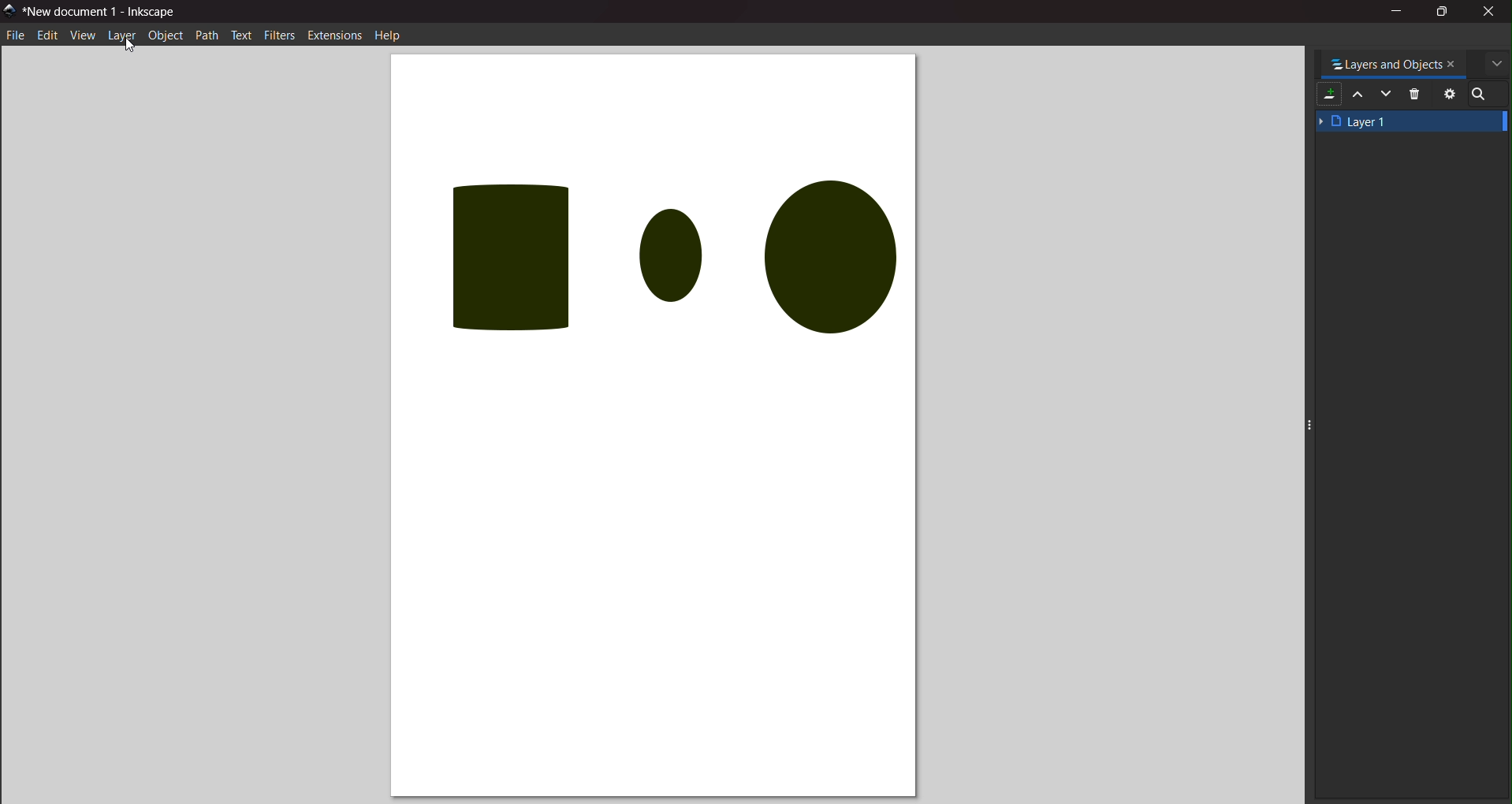 This screenshot has width=1512, height=804. Describe the element at coordinates (1411, 121) in the screenshot. I see `layer 1` at that location.